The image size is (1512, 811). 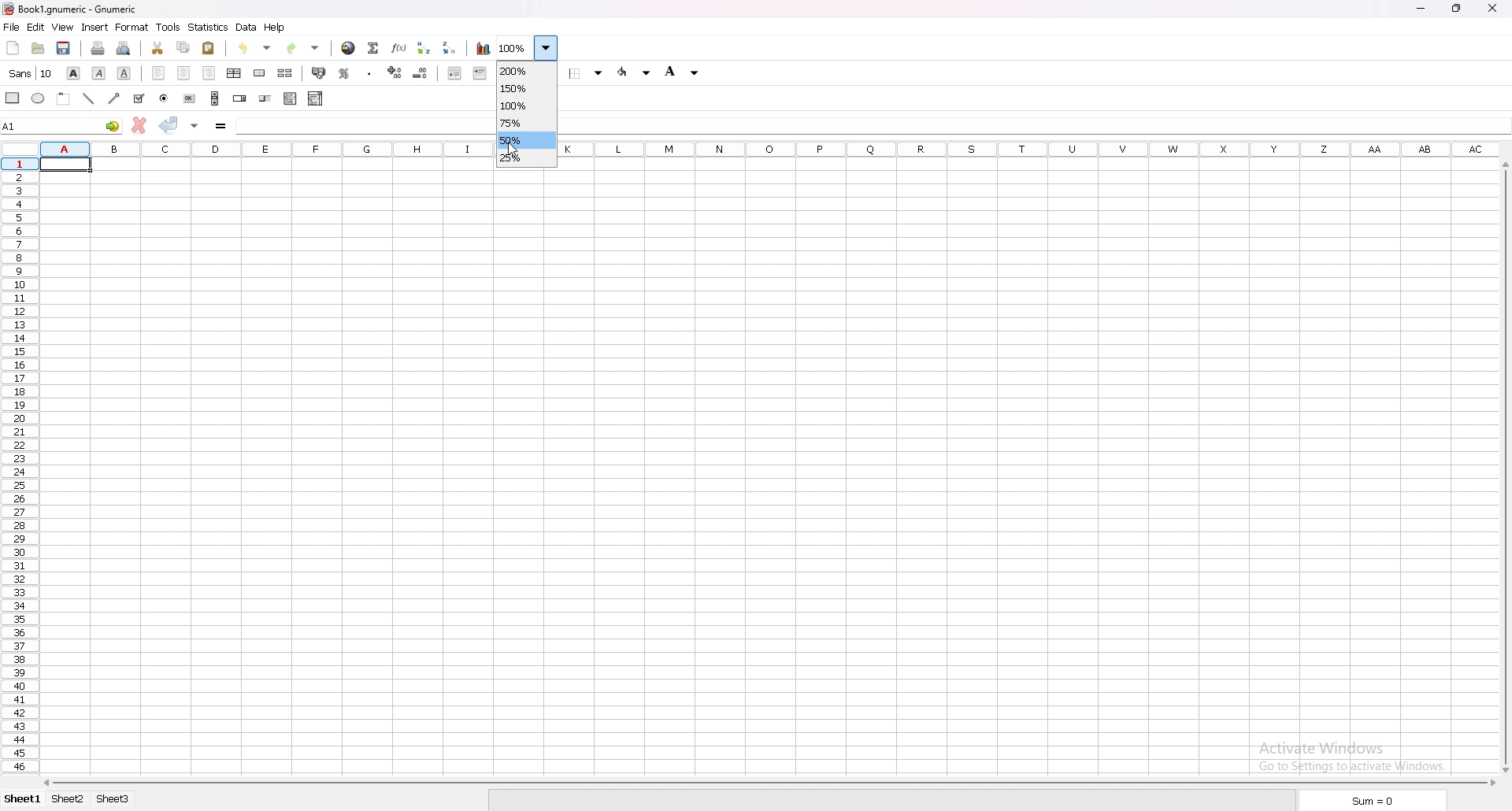 What do you see at coordinates (524, 141) in the screenshot?
I see `50%` at bounding box center [524, 141].